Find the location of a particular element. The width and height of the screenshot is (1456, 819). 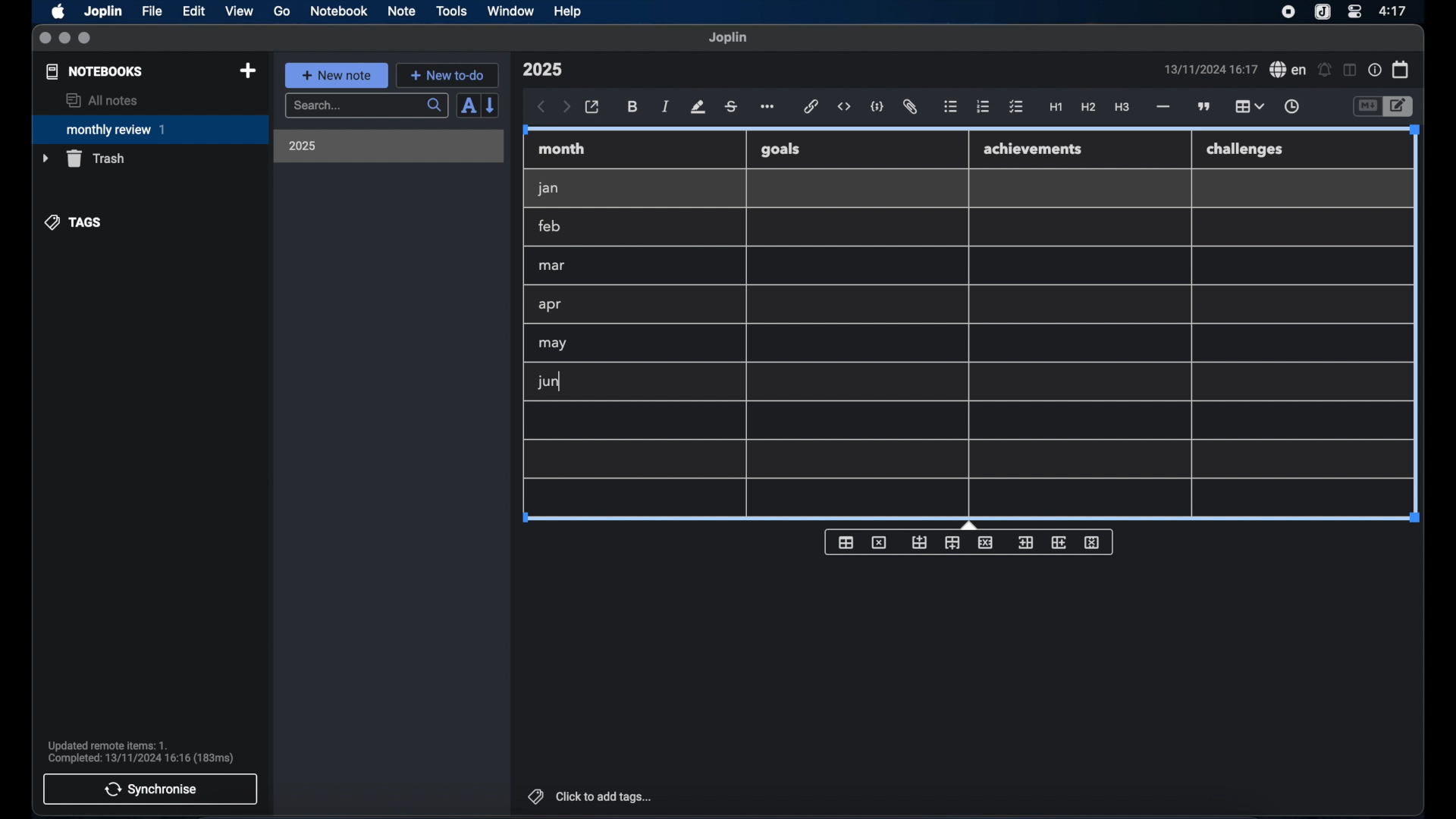

check  list is located at coordinates (1016, 108).